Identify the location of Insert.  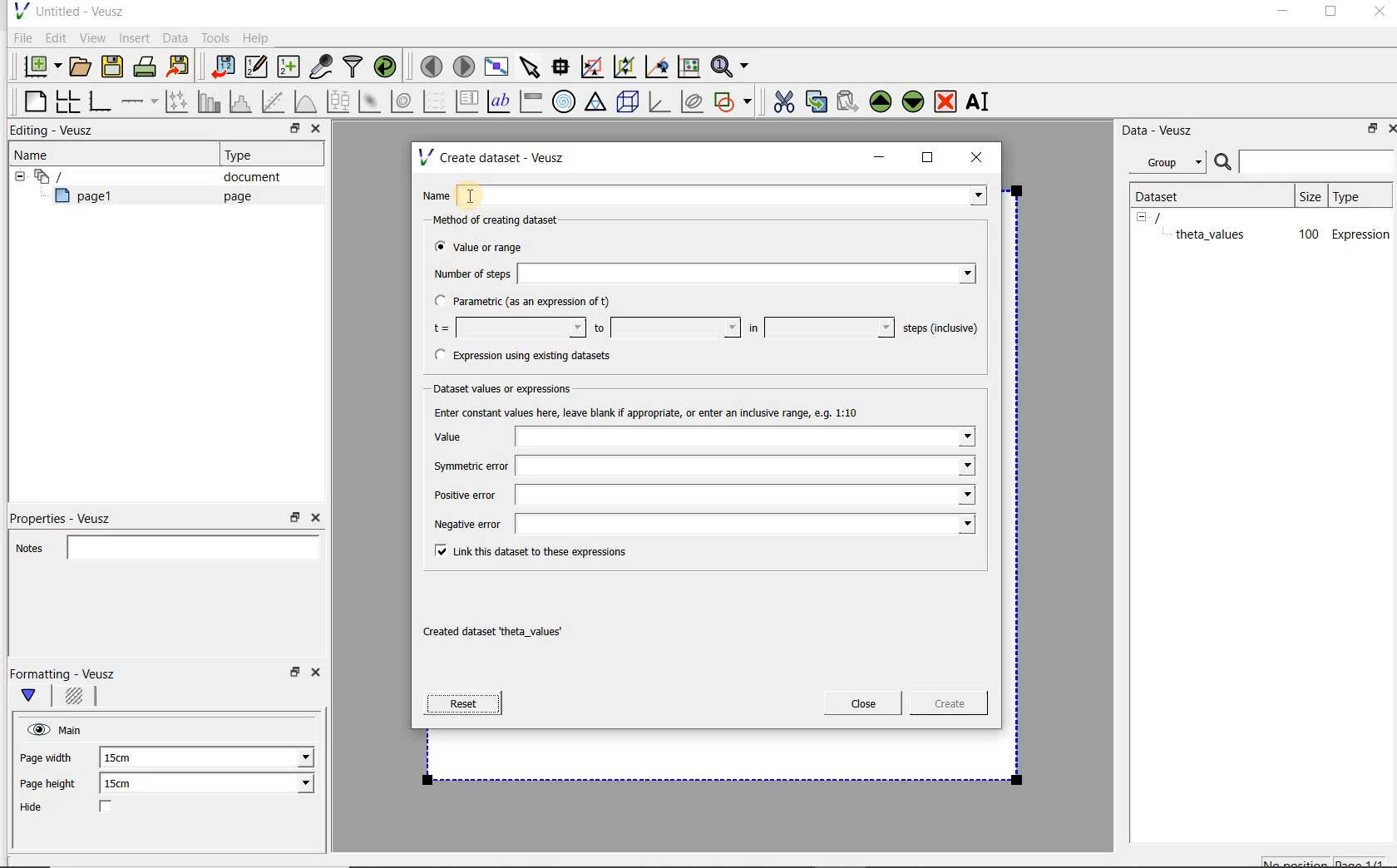
(136, 37).